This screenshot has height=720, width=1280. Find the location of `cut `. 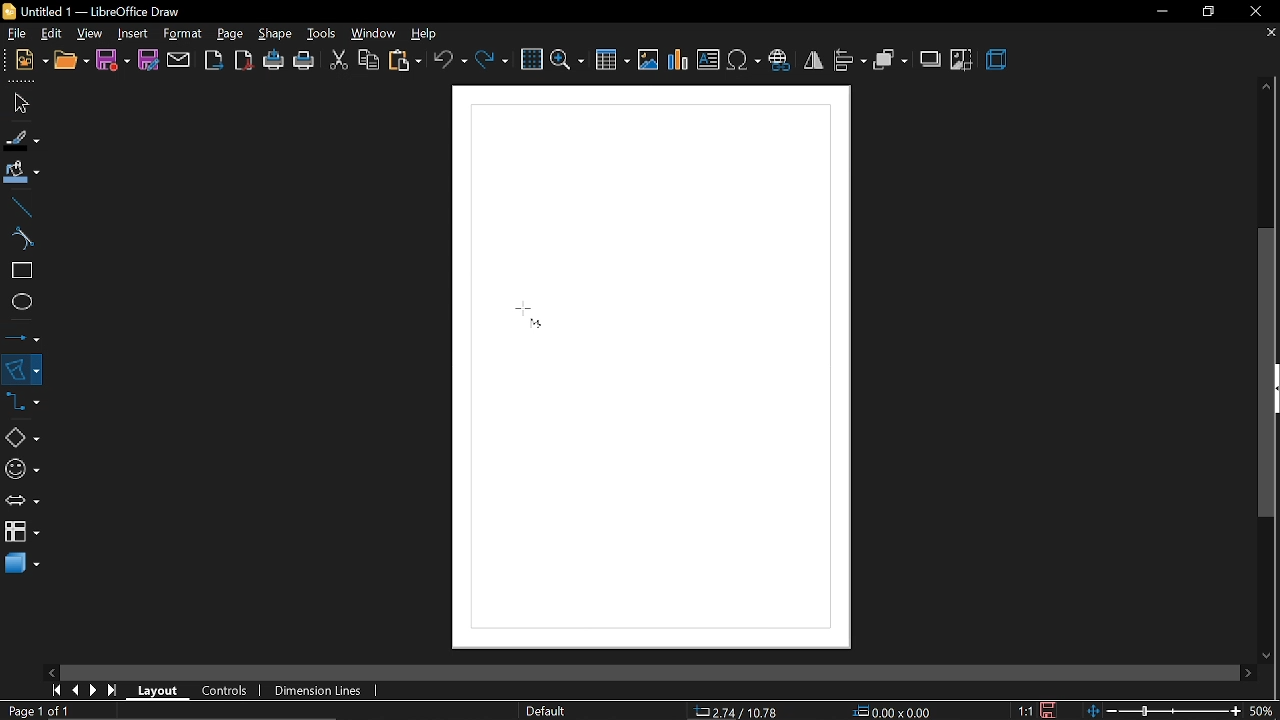

cut  is located at coordinates (338, 58).